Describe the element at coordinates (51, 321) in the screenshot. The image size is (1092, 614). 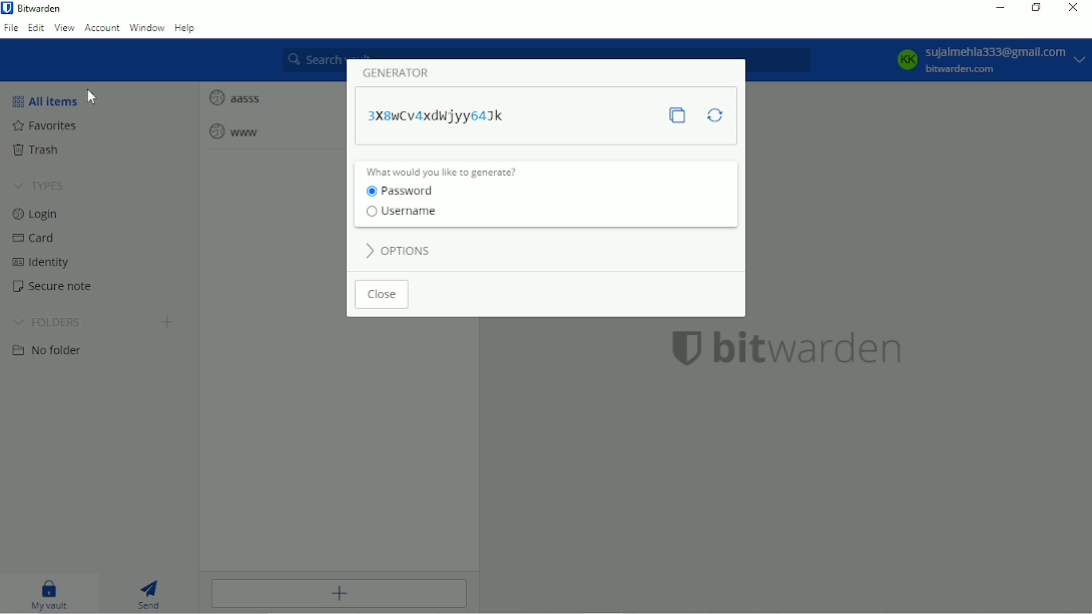
I see `Folders` at that location.